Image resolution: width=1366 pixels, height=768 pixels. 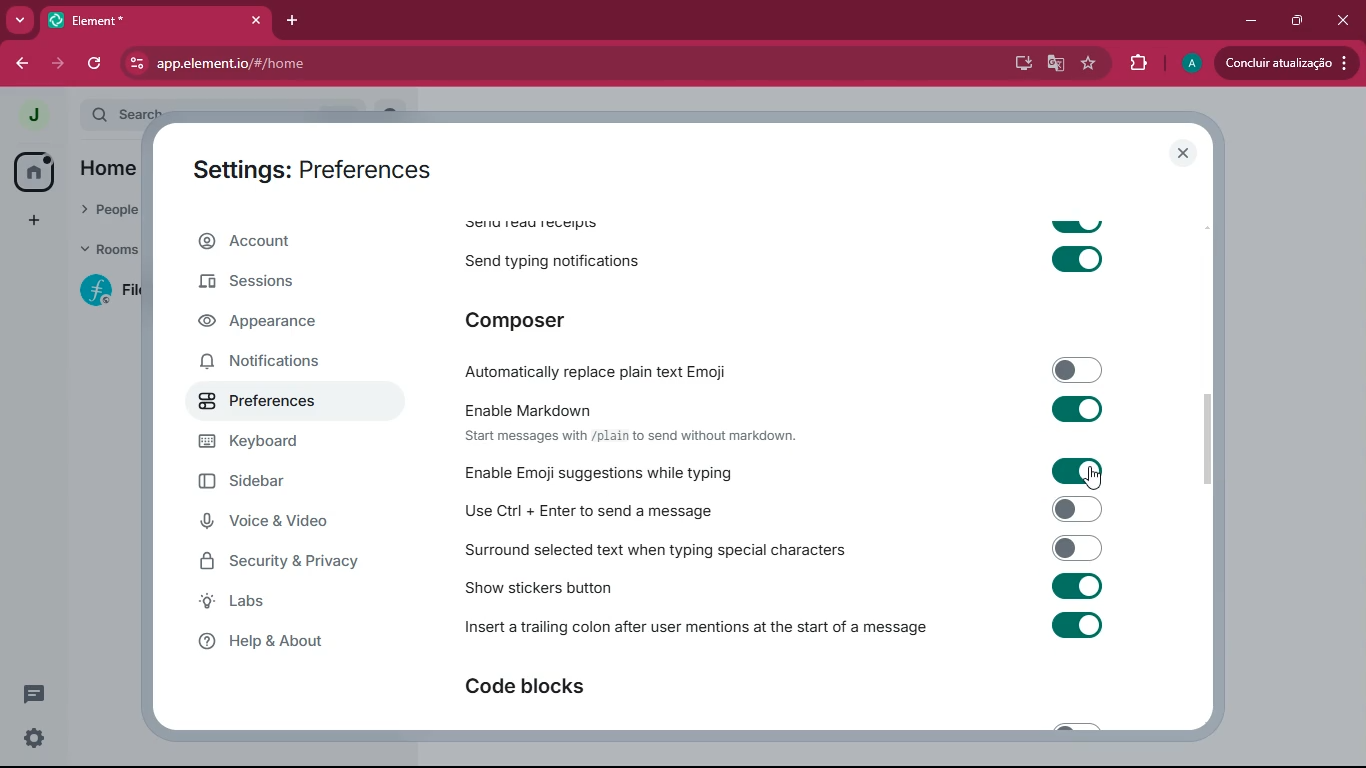 What do you see at coordinates (96, 64) in the screenshot?
I see `refresh` at bounding box center [96, 64].